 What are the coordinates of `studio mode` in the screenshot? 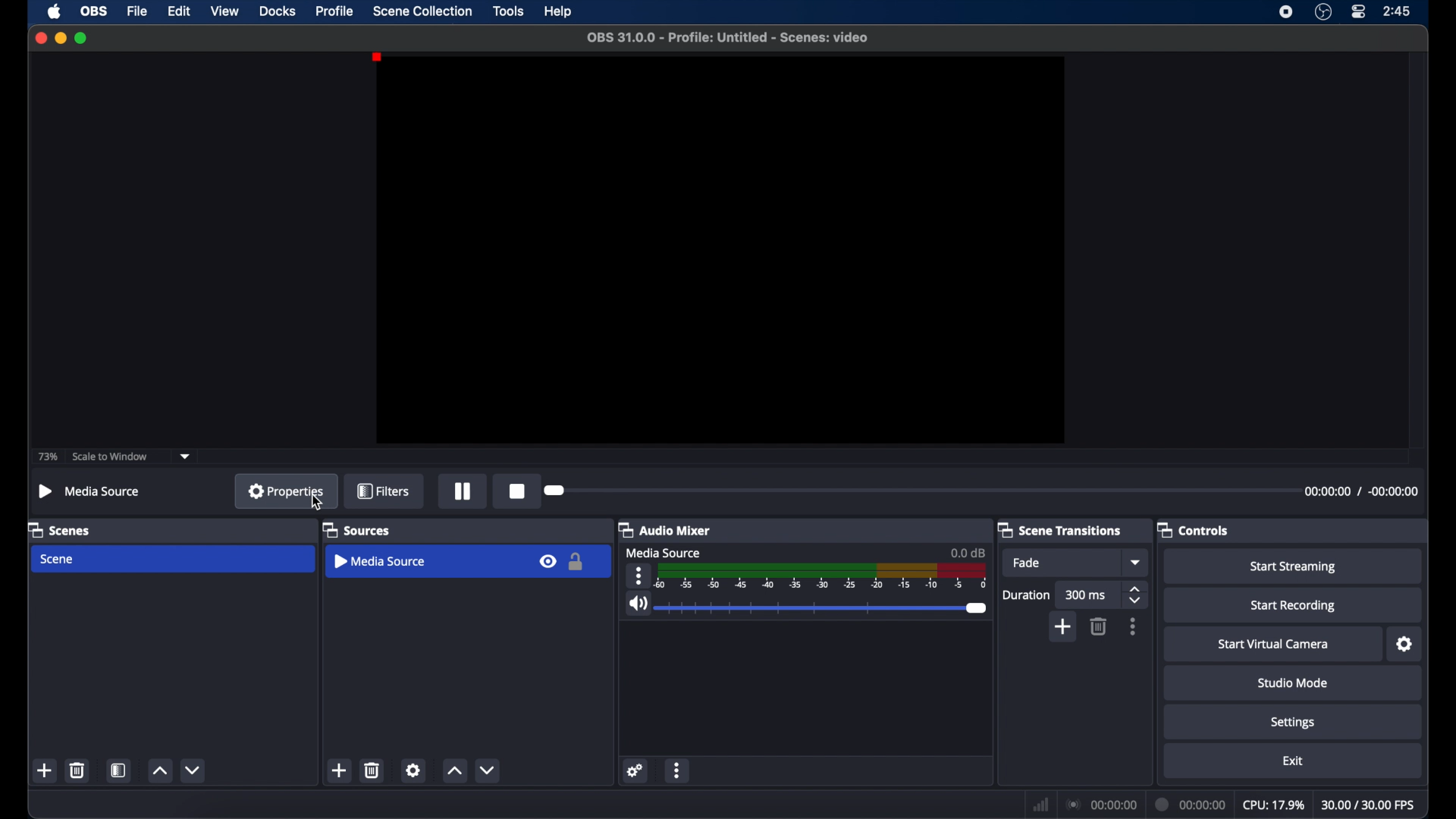 It's located at (1293, 682).